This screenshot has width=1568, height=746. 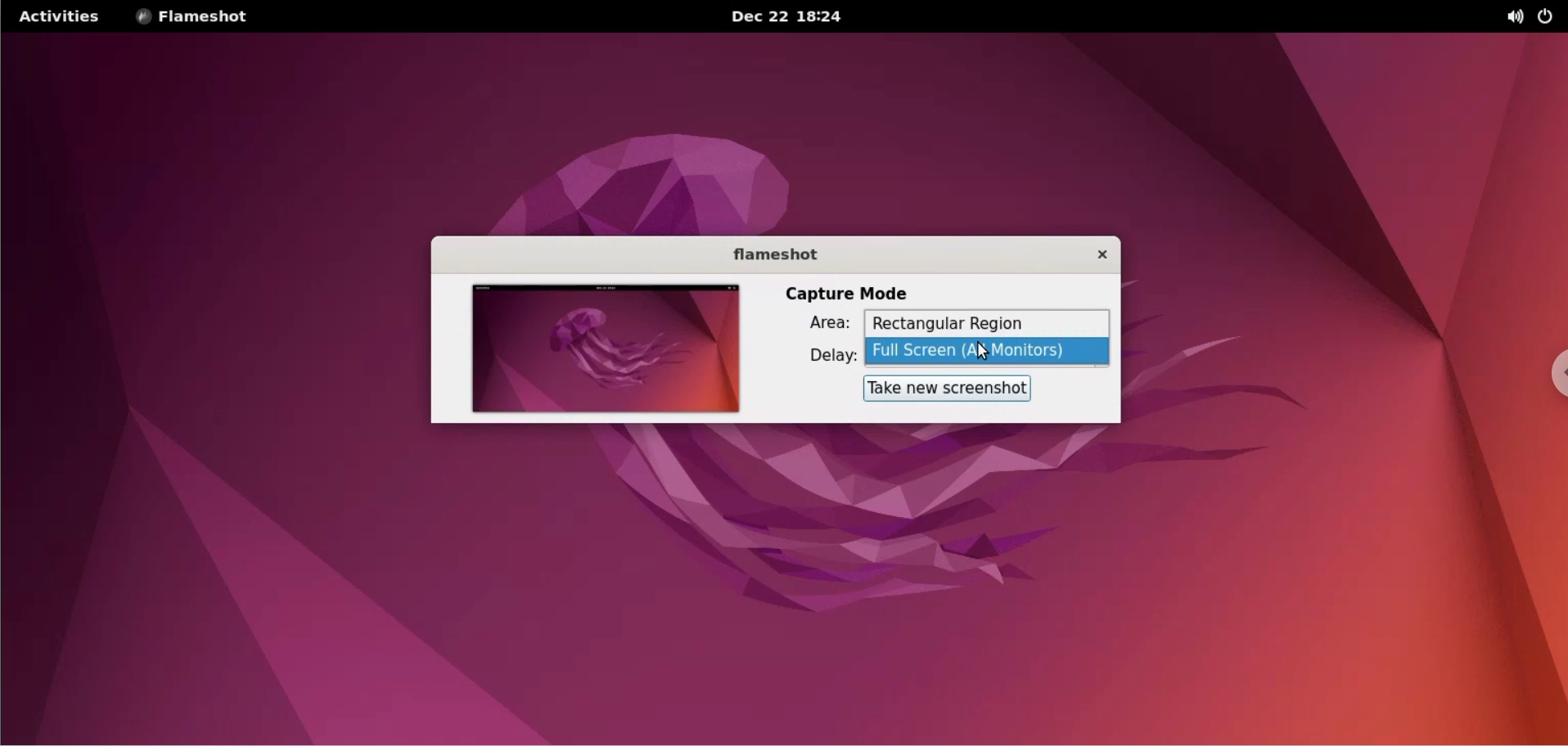 I want to click on chrome options, so click(x=1553, y=361).